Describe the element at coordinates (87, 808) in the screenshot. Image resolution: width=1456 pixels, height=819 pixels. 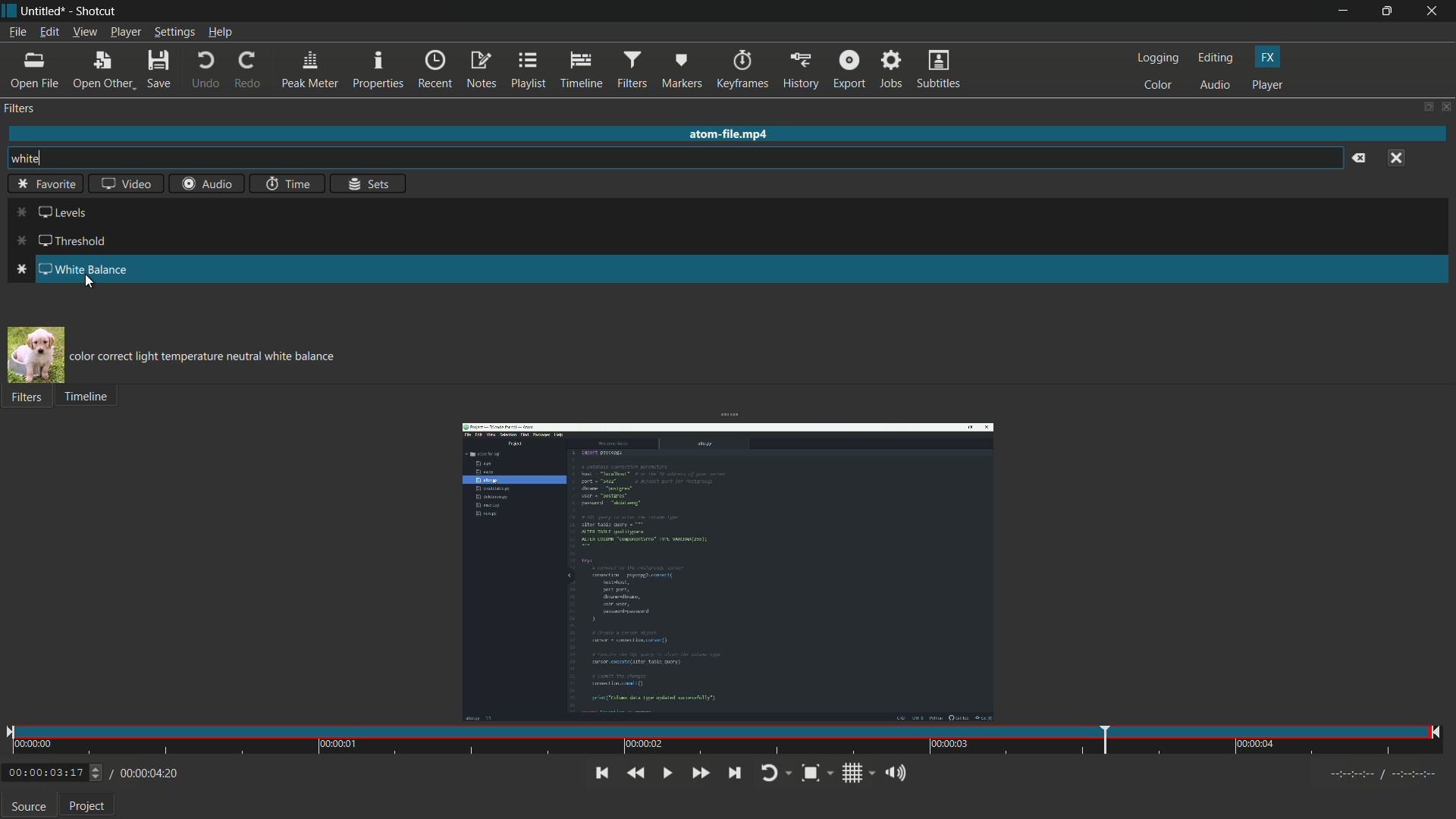
I see `project` at that location.